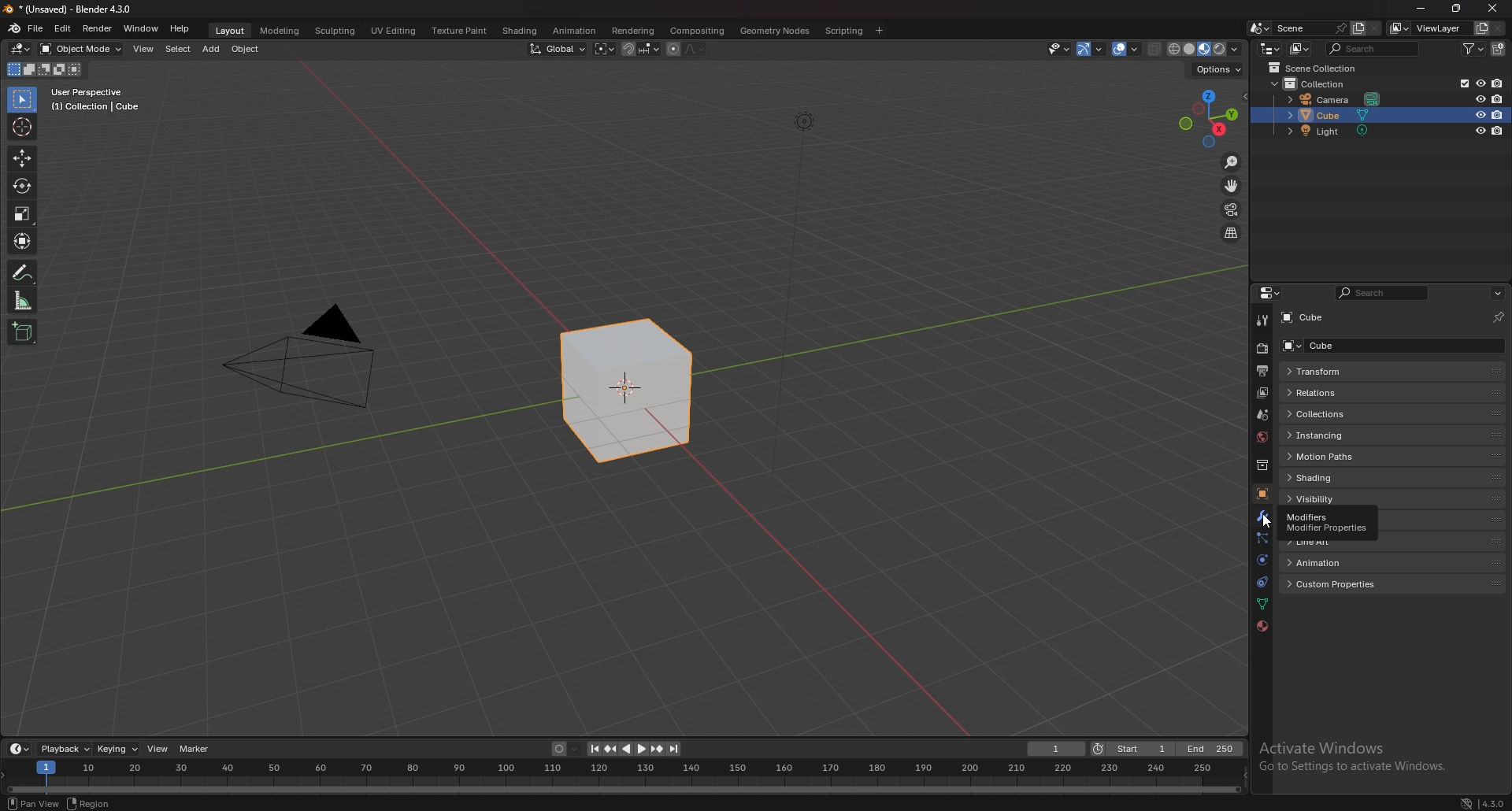 Image resolution: width=1512 pixels, height=811 pixels. What do you see at coordinates (1455, 8) in the screenshot?
I see `resize` at bounding box center [1455, 8].